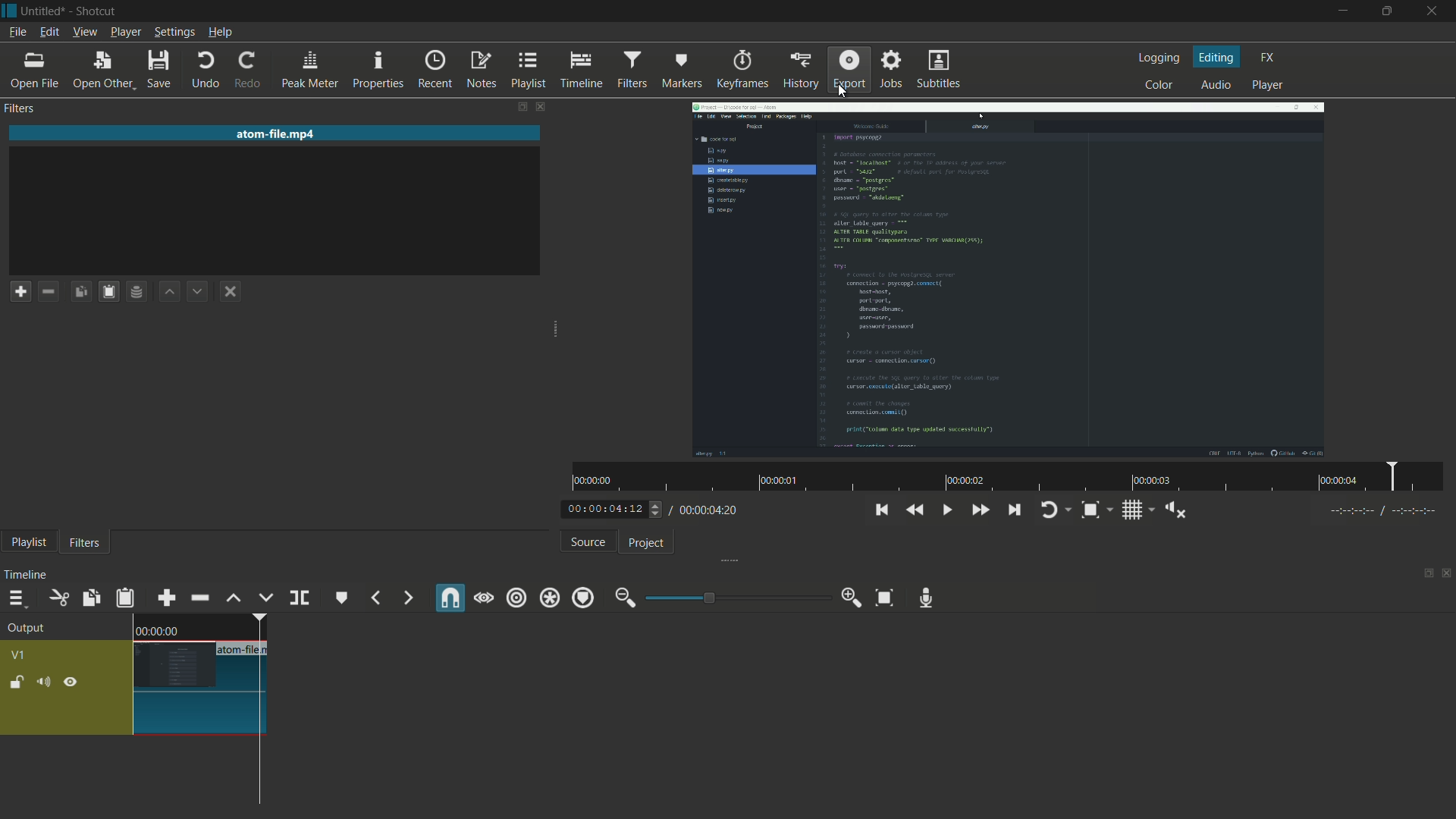  I want to click on player menu, so click(124, 32).